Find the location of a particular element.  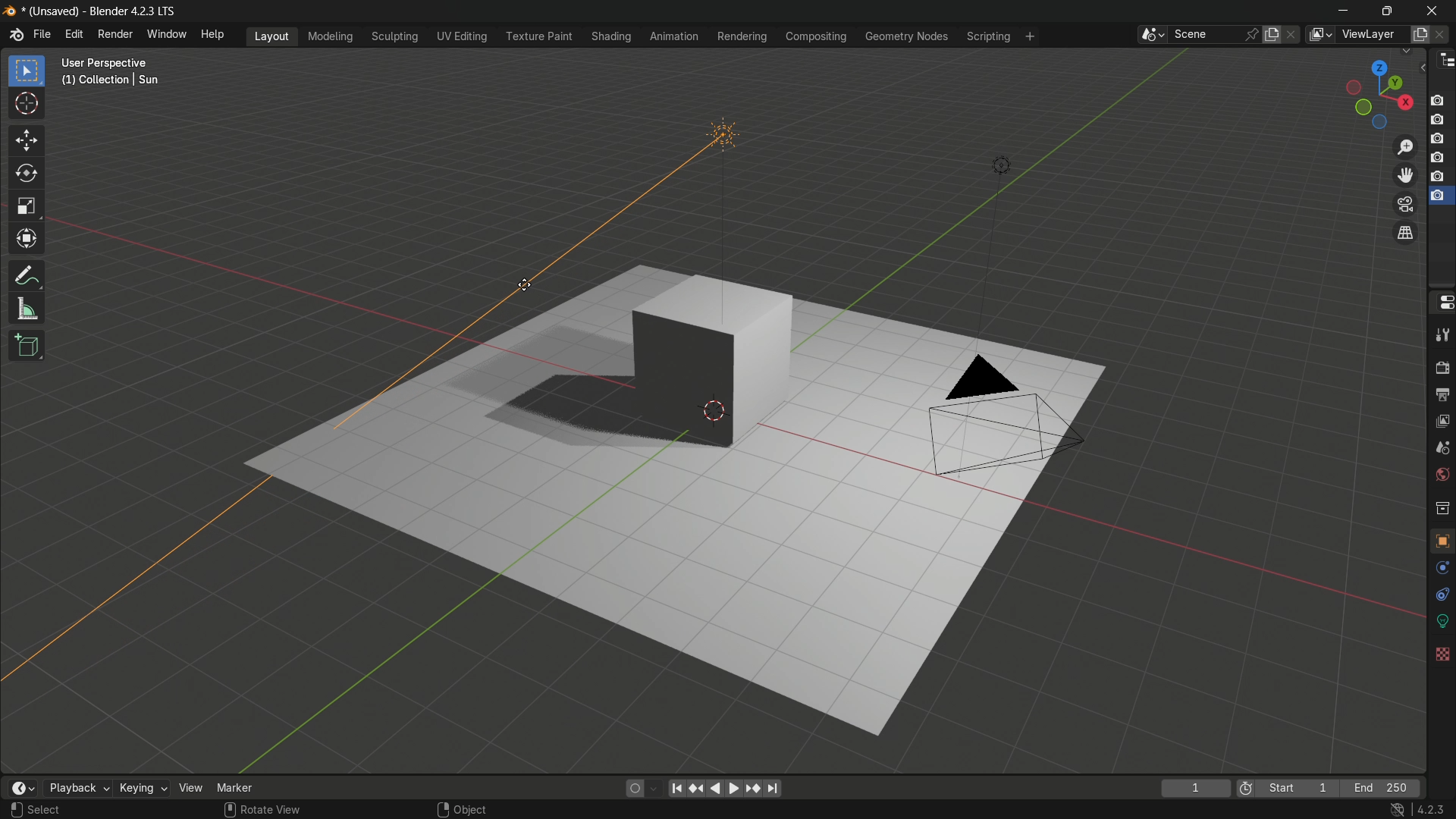

view is located at coordinates (189, 787).